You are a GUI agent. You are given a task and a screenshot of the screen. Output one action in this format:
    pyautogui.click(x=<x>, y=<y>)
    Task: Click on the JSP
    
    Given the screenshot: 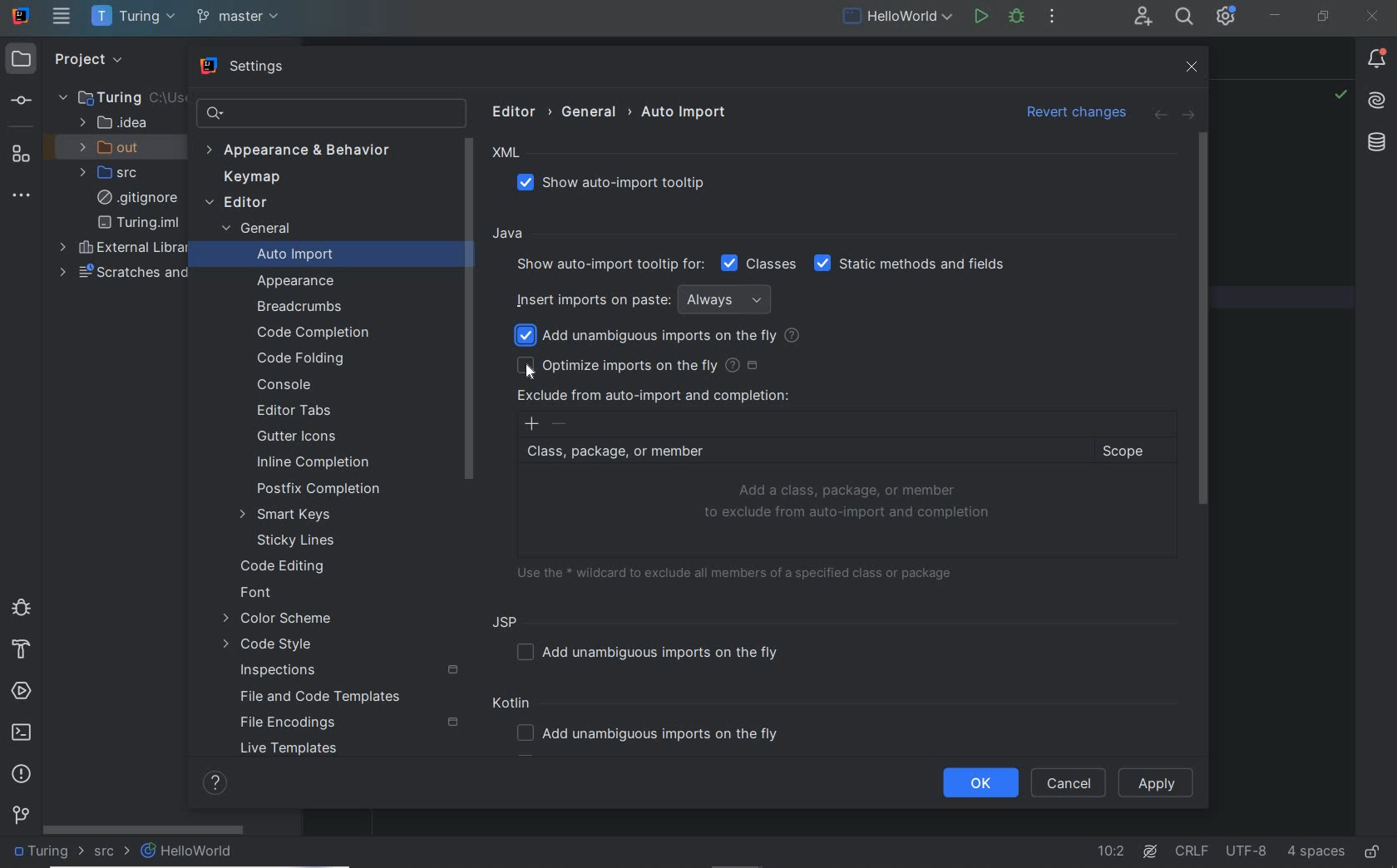 What is the action you would take?
    pyautogui.click(x=509, y=621)
    